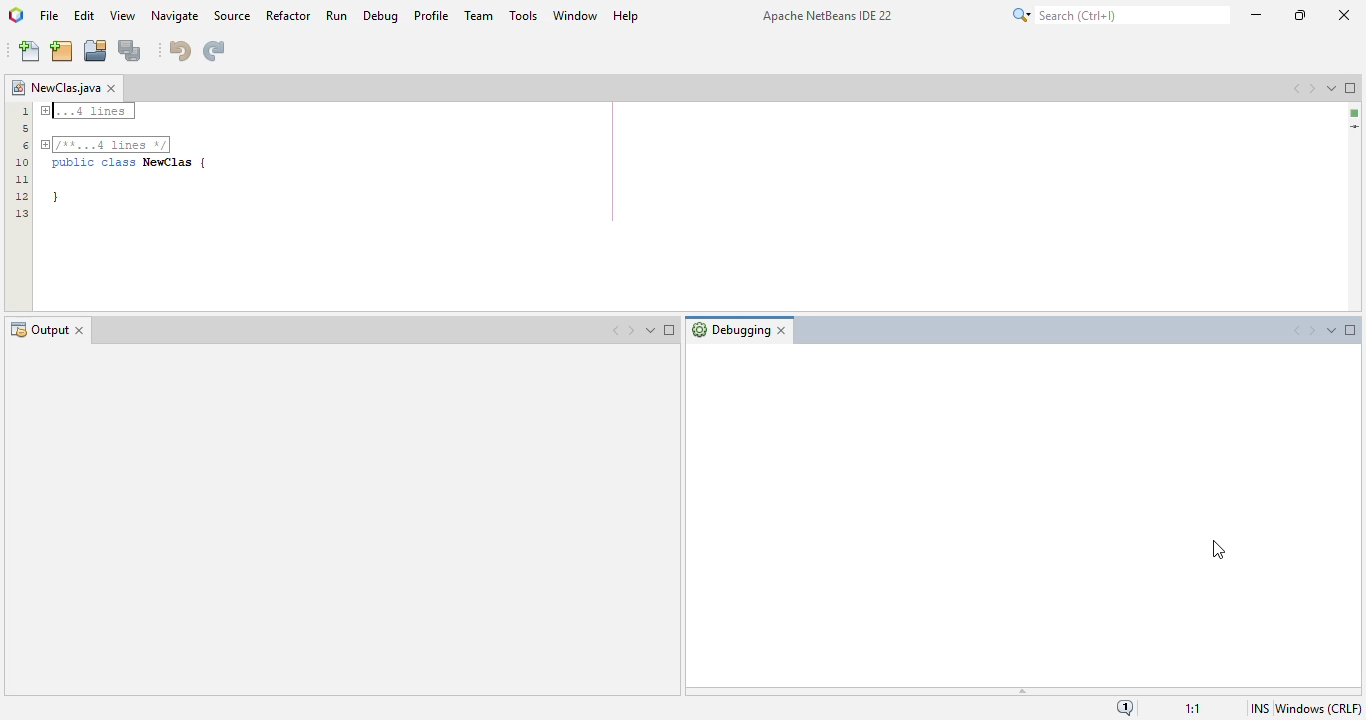 This screenshot has width=1366, height=720. Describe the element at coordinates (1300, 15) in the screenshot. I see `maximize` at that location.